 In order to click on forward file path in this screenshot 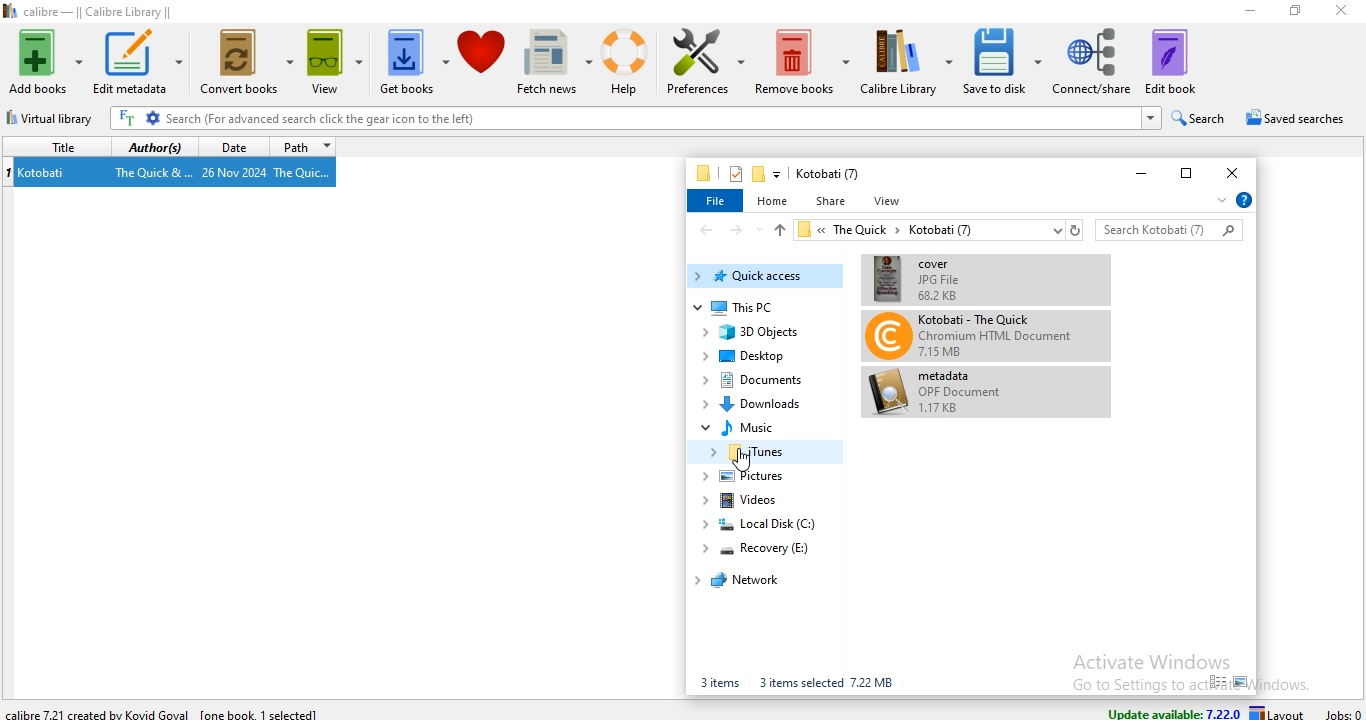, I will do `click(738, 231)`.